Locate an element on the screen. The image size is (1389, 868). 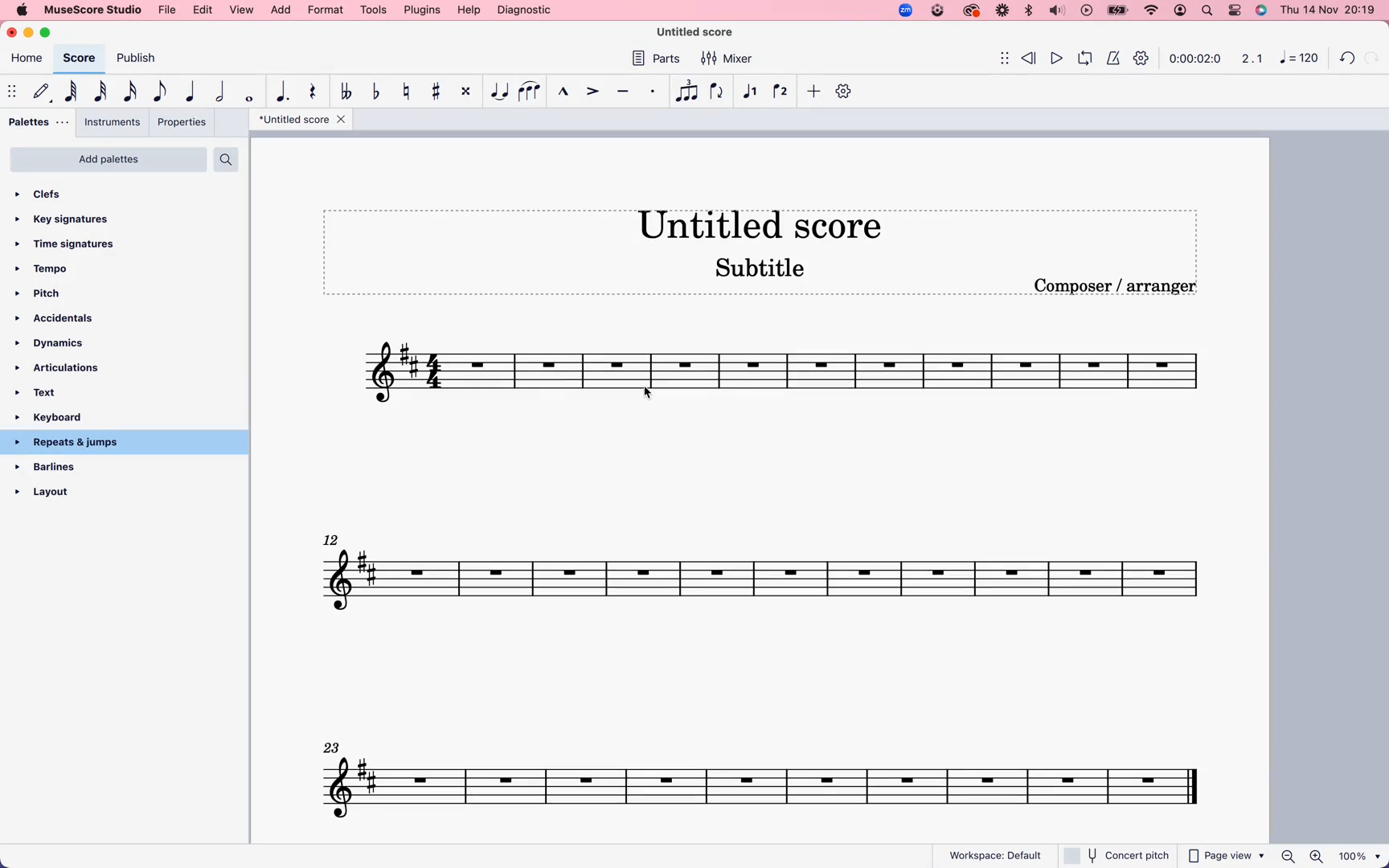
16th note is located at coordinates (133, 91).